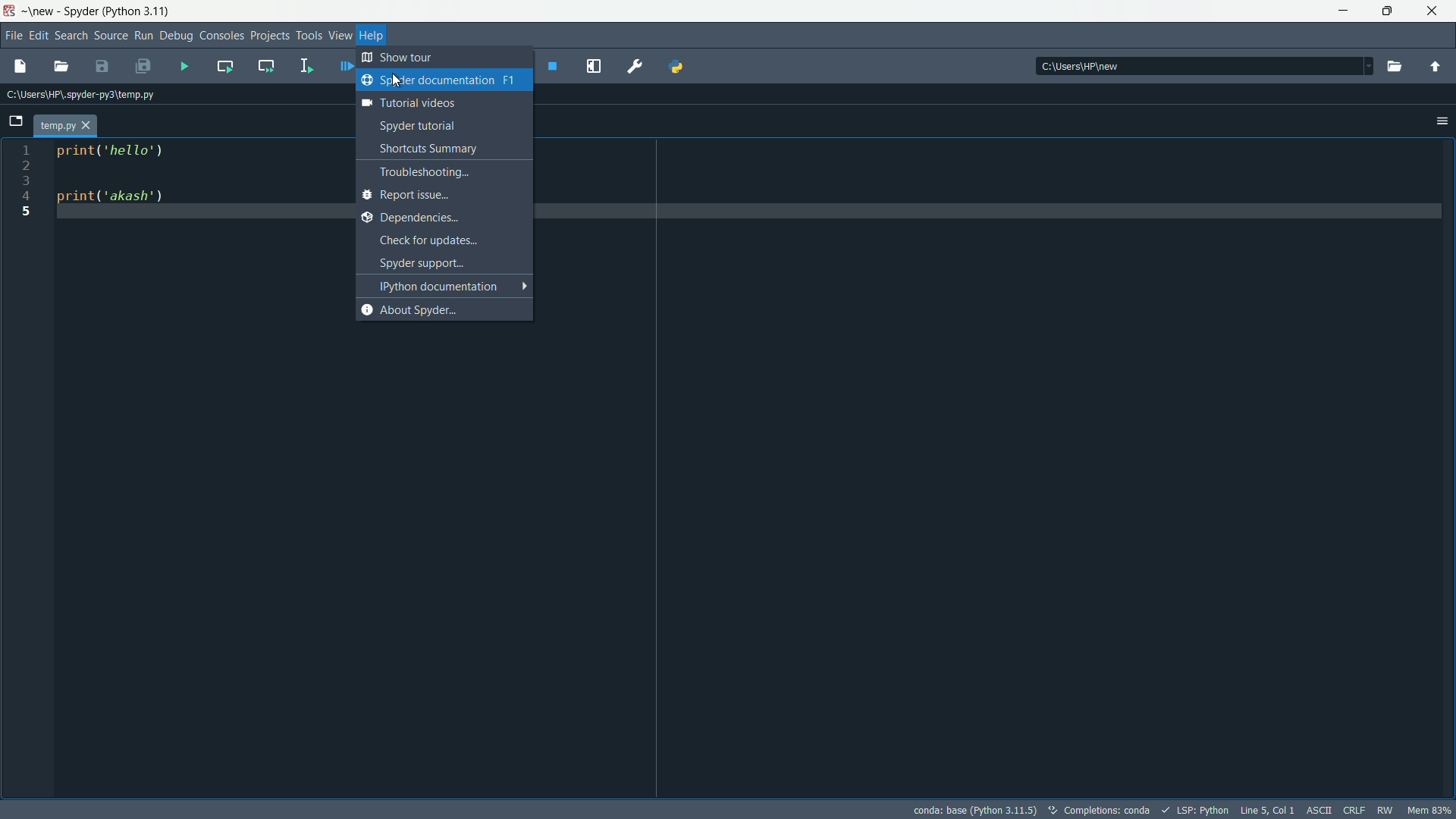  Describe the element at coordinates (39, 37) in the screenshot. I see `edit menu` at that location.